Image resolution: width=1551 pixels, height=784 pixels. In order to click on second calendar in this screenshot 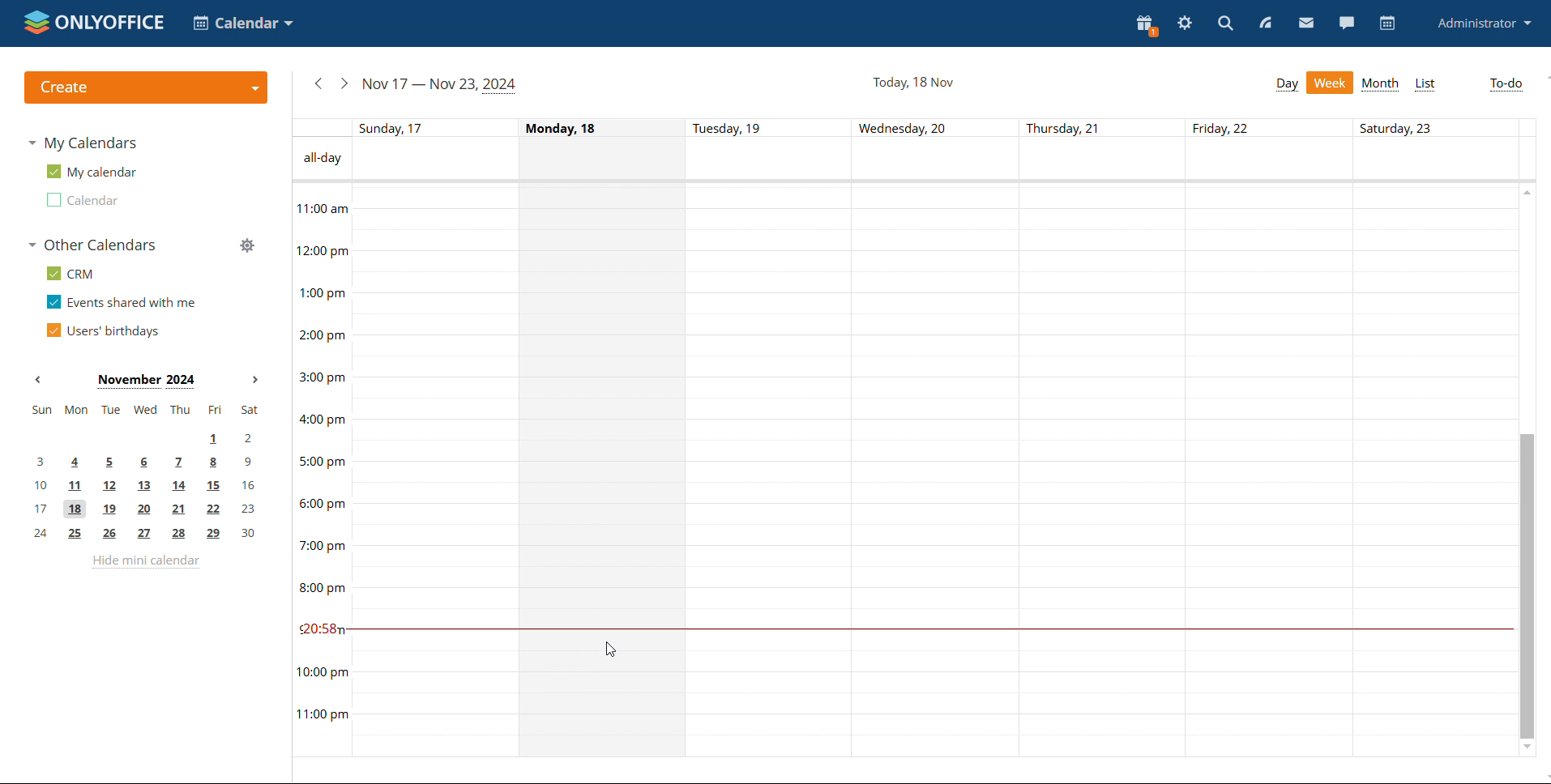, I will do `click(81, 198)`.